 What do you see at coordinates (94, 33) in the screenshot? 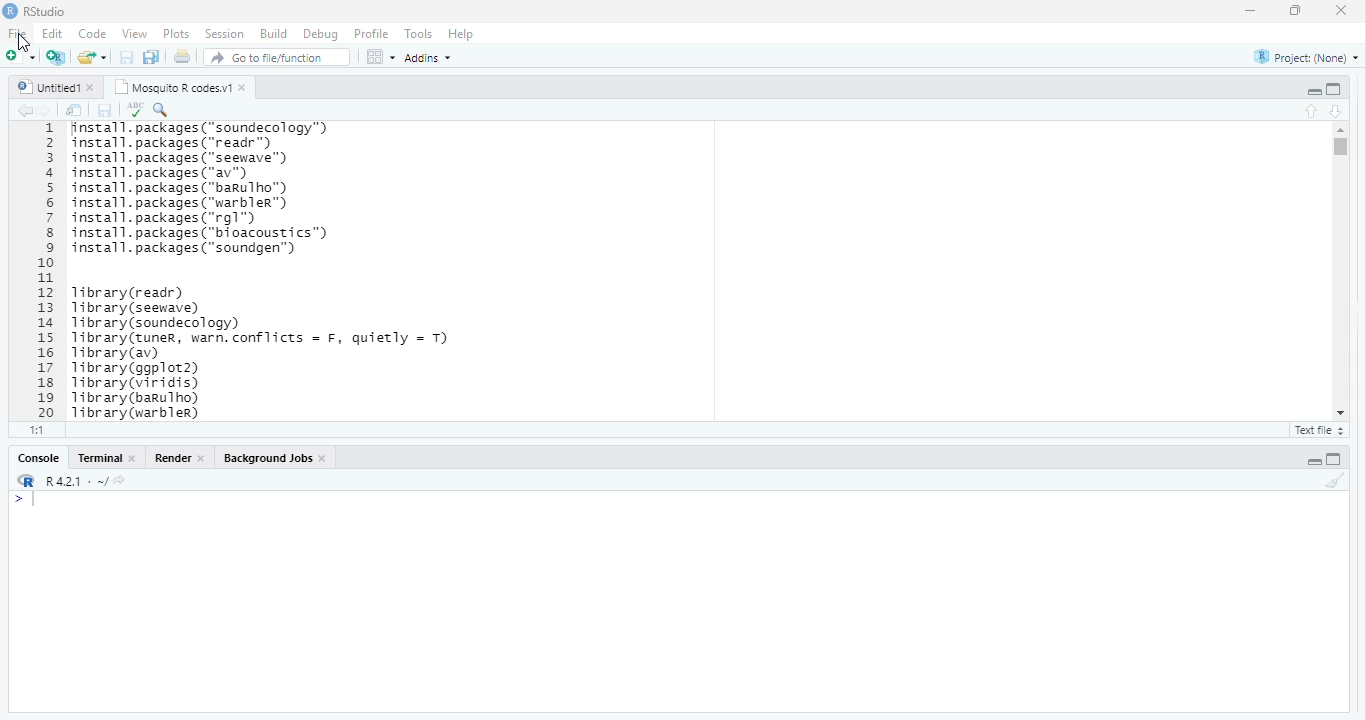
I see `Code` at bounding box center [94, 33].